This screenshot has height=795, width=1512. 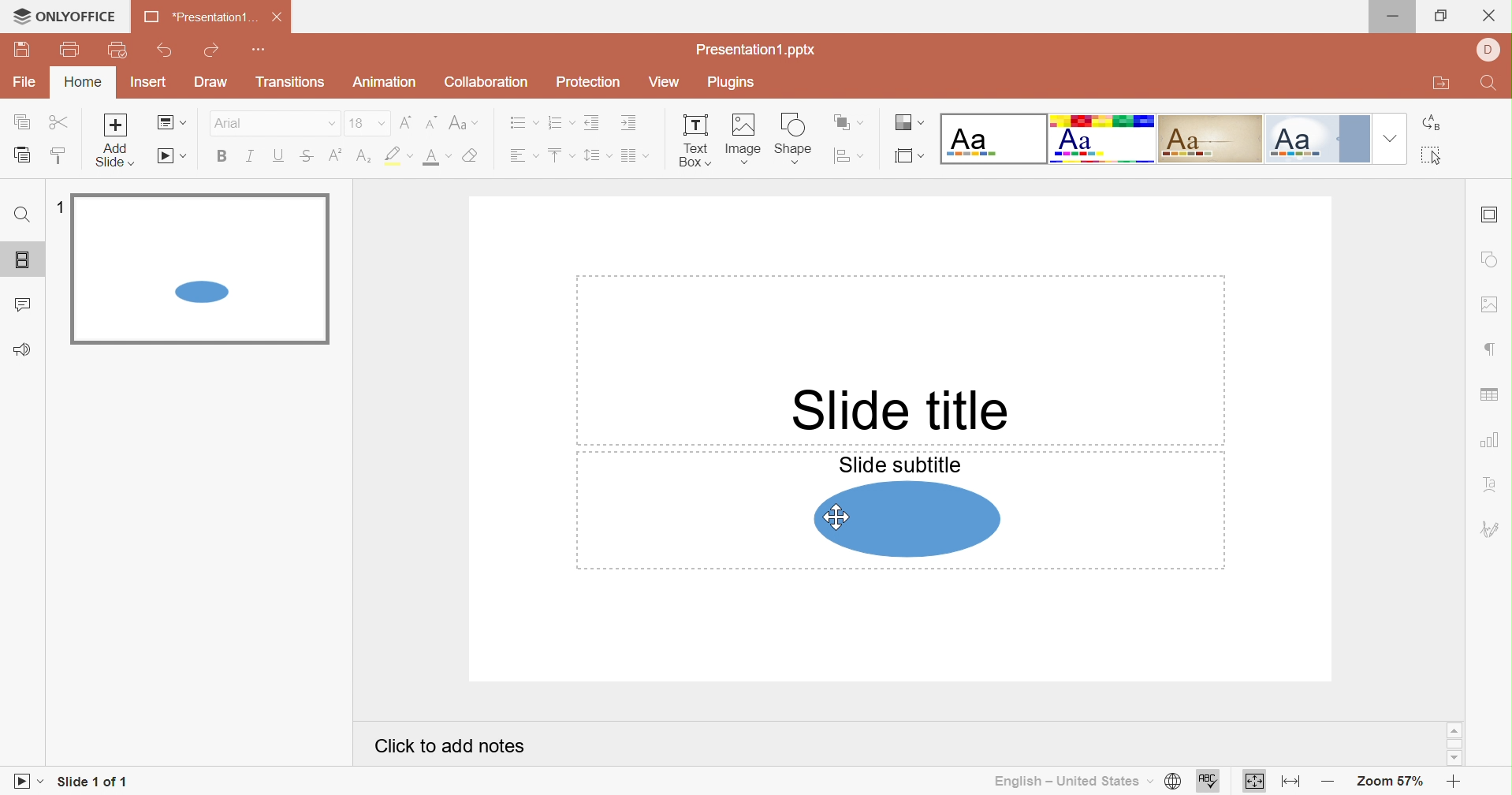 What do you see at coordinates (907, 122) in the screenshot?
I see `Change color theme` at bounding box center [907, 122].